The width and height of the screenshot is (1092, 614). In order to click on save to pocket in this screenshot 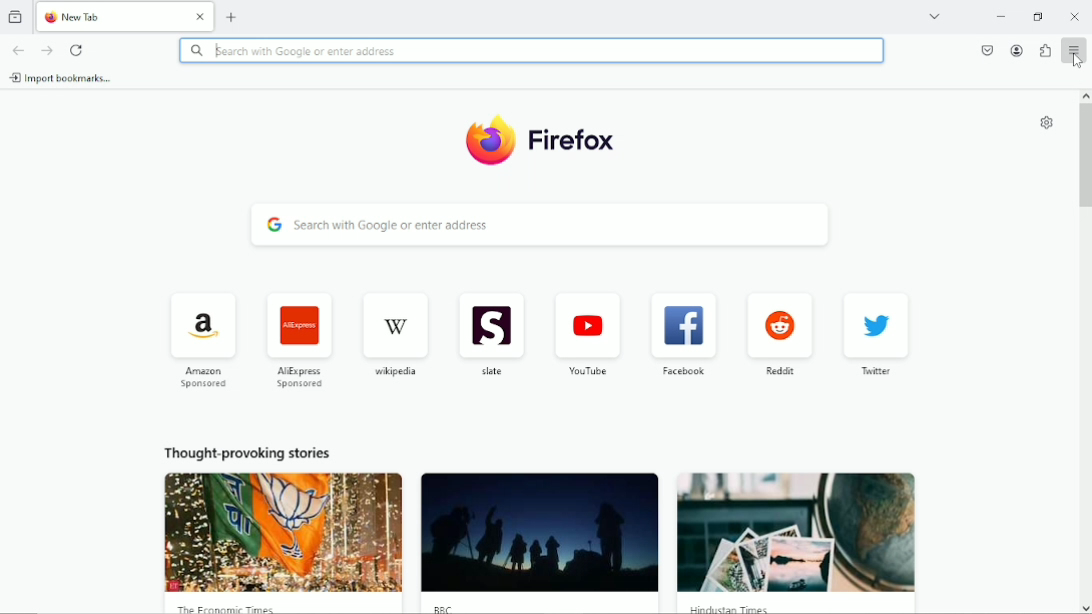, I will do `click(987, 49)`.